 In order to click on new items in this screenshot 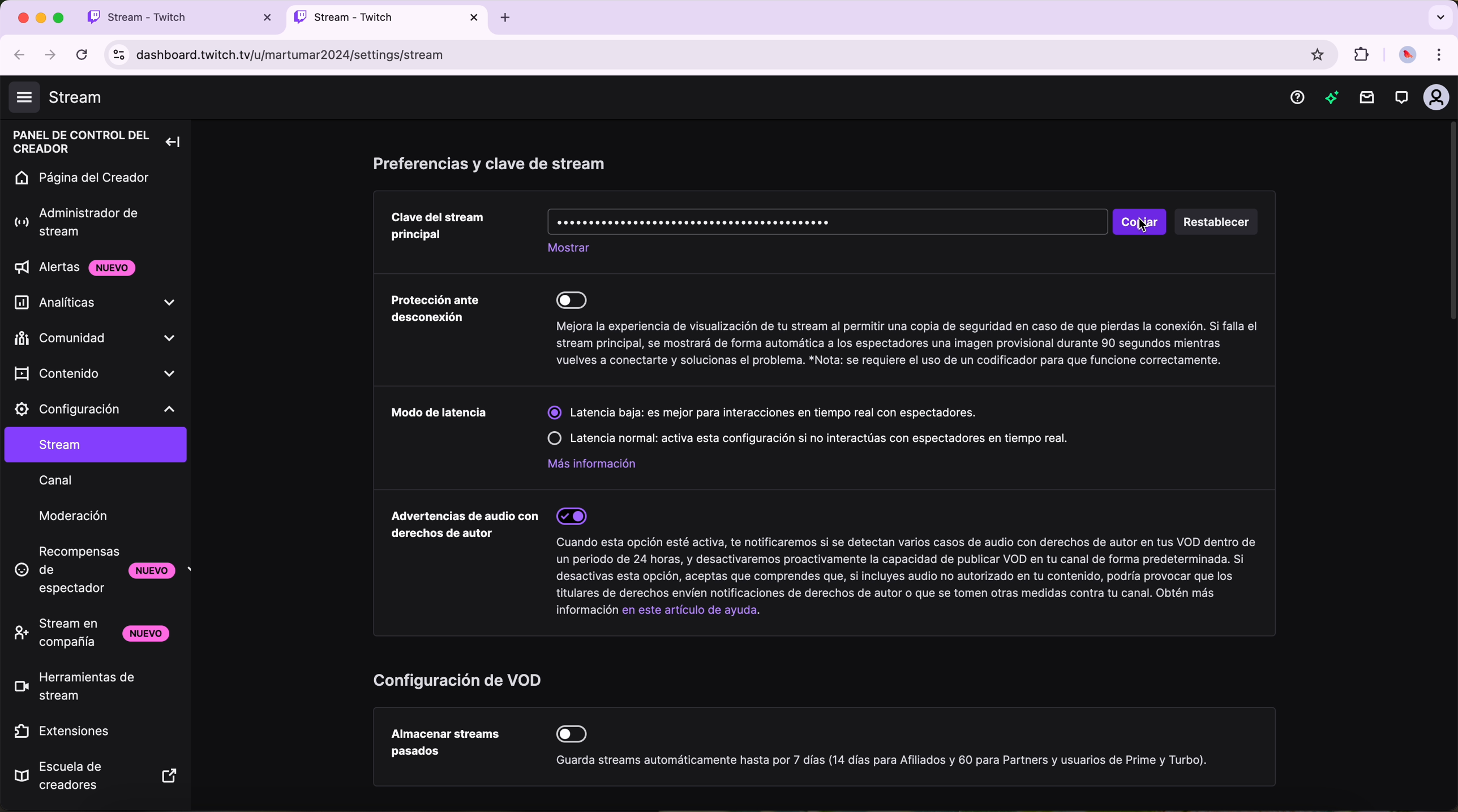, I will do `click(1332, 98)`.